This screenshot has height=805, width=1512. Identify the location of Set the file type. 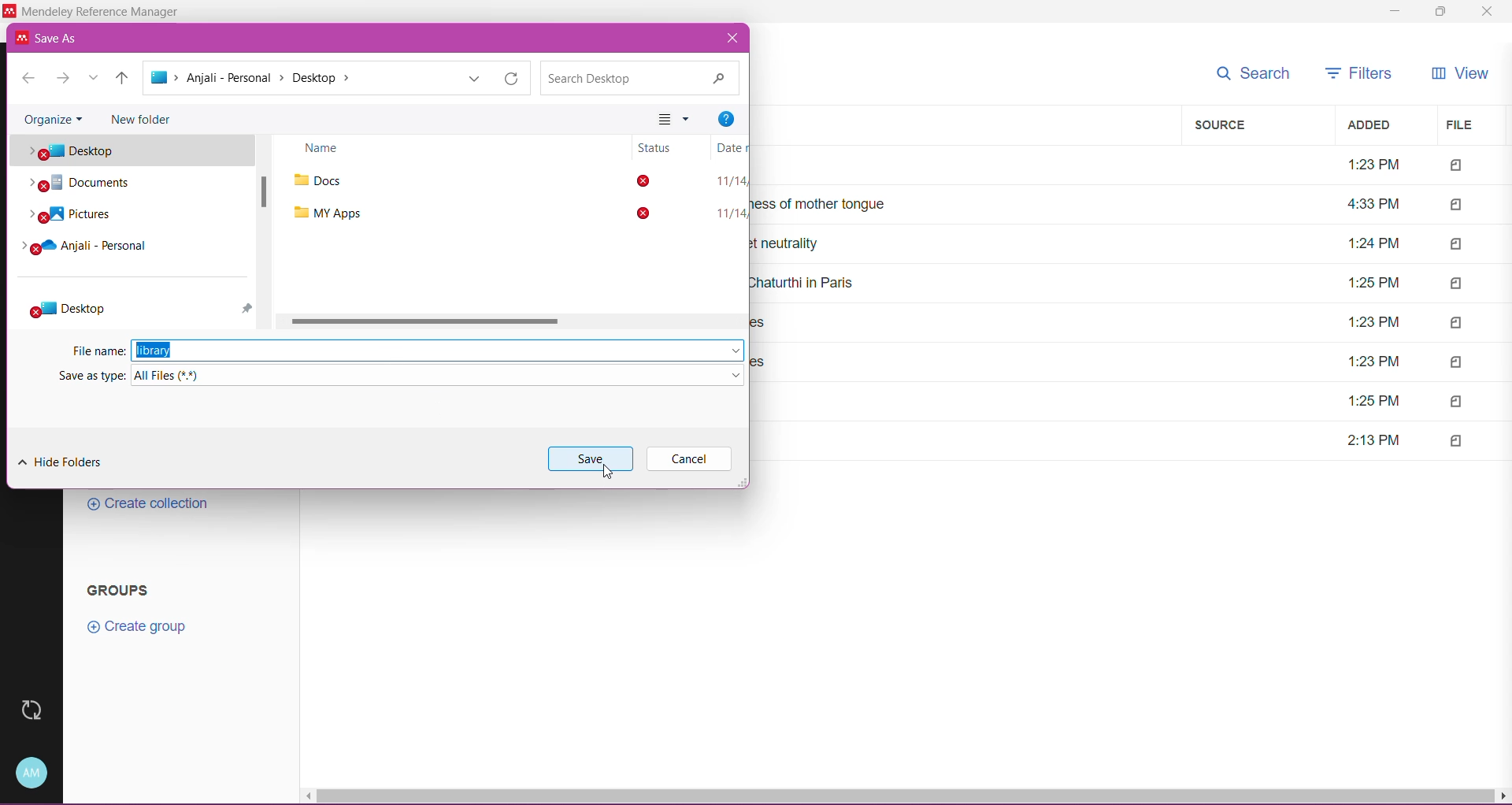
(441, 376).